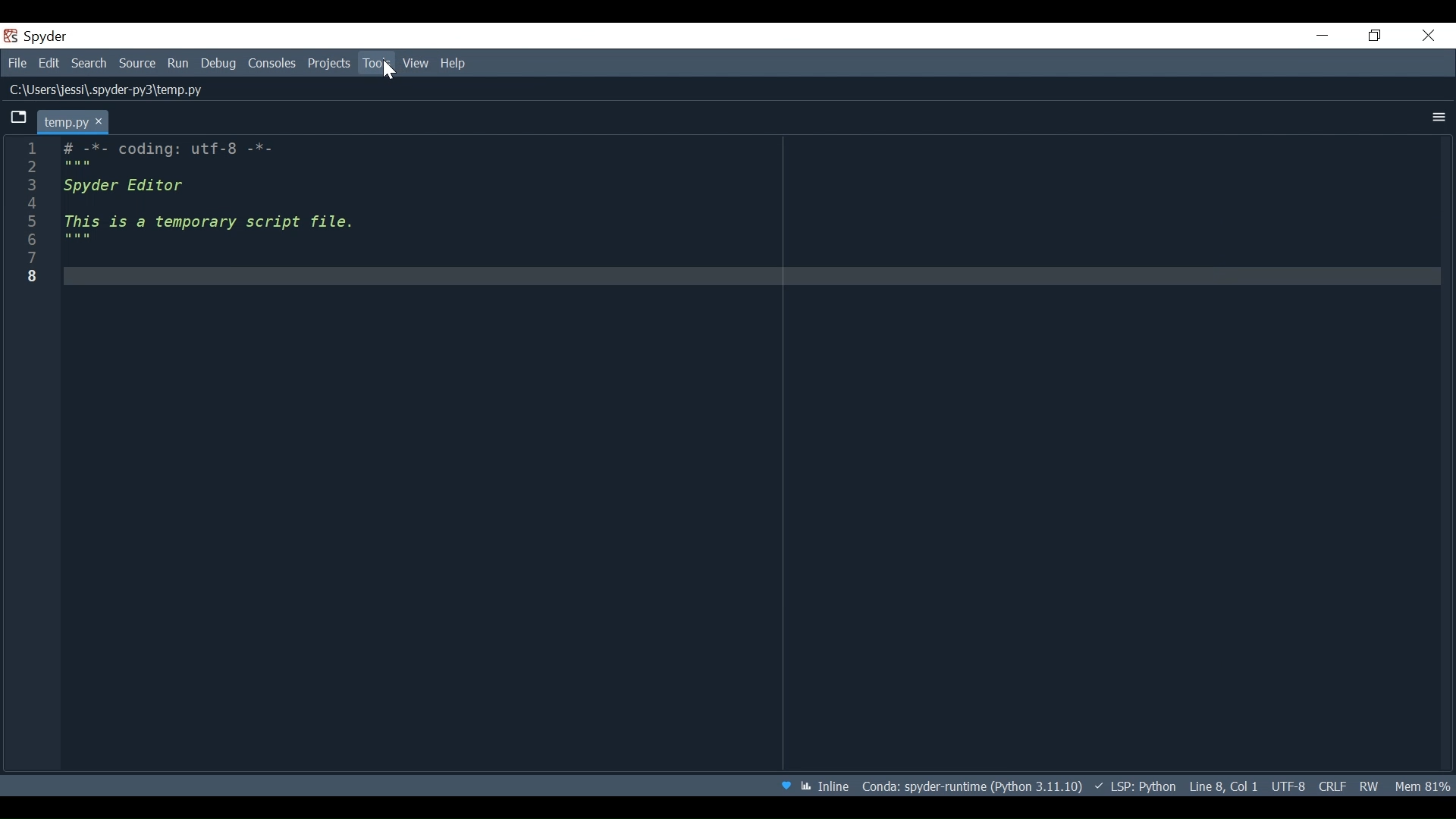  I want to click on Cursor, so click(389, 73).